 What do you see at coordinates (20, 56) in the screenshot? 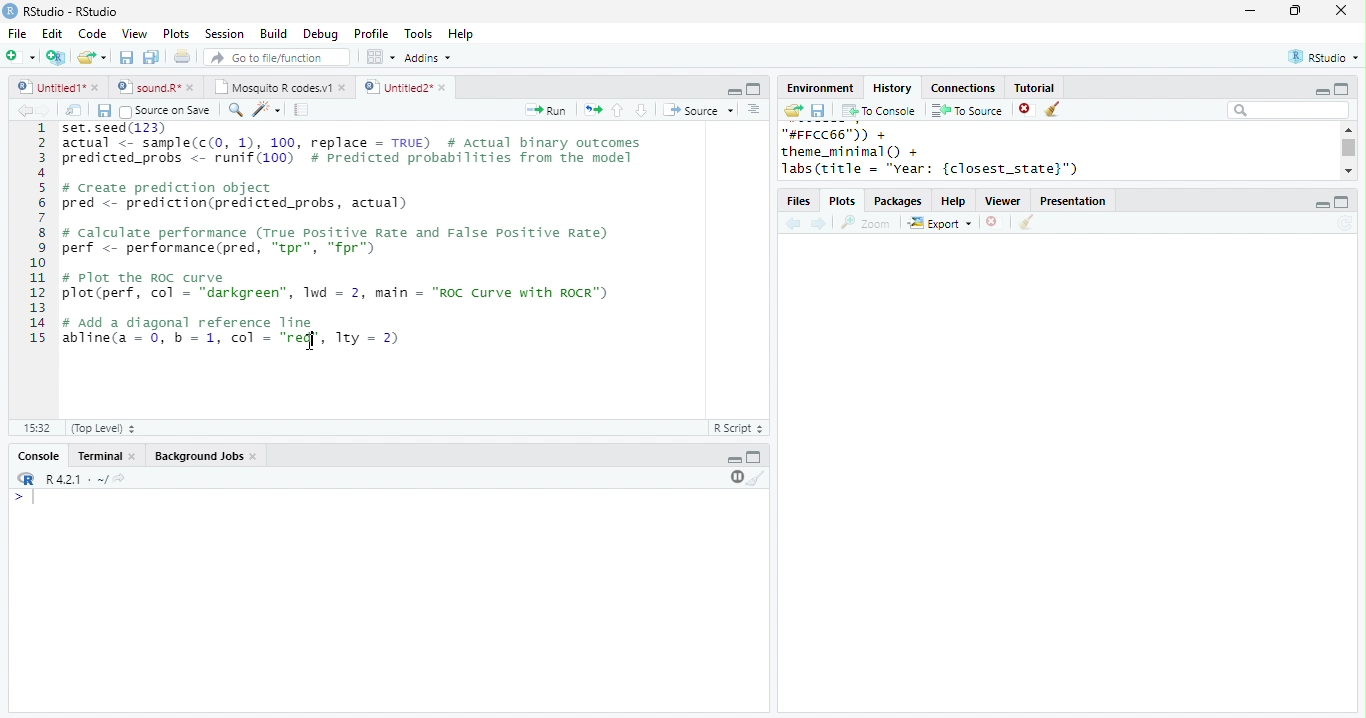
I see `new file` at bounding box center [20, 56].